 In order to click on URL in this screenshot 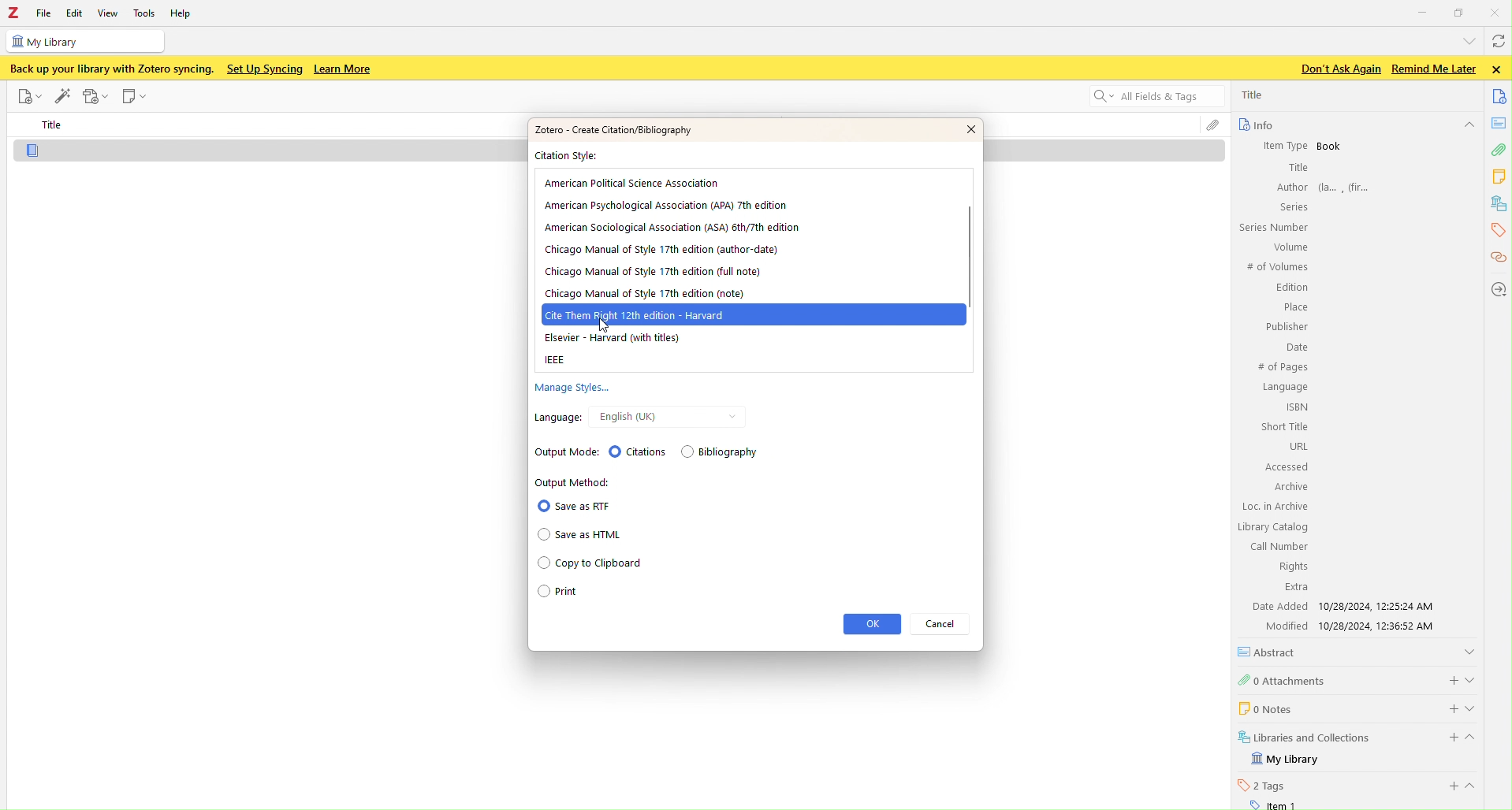, I will do `click(1297, 446)`.